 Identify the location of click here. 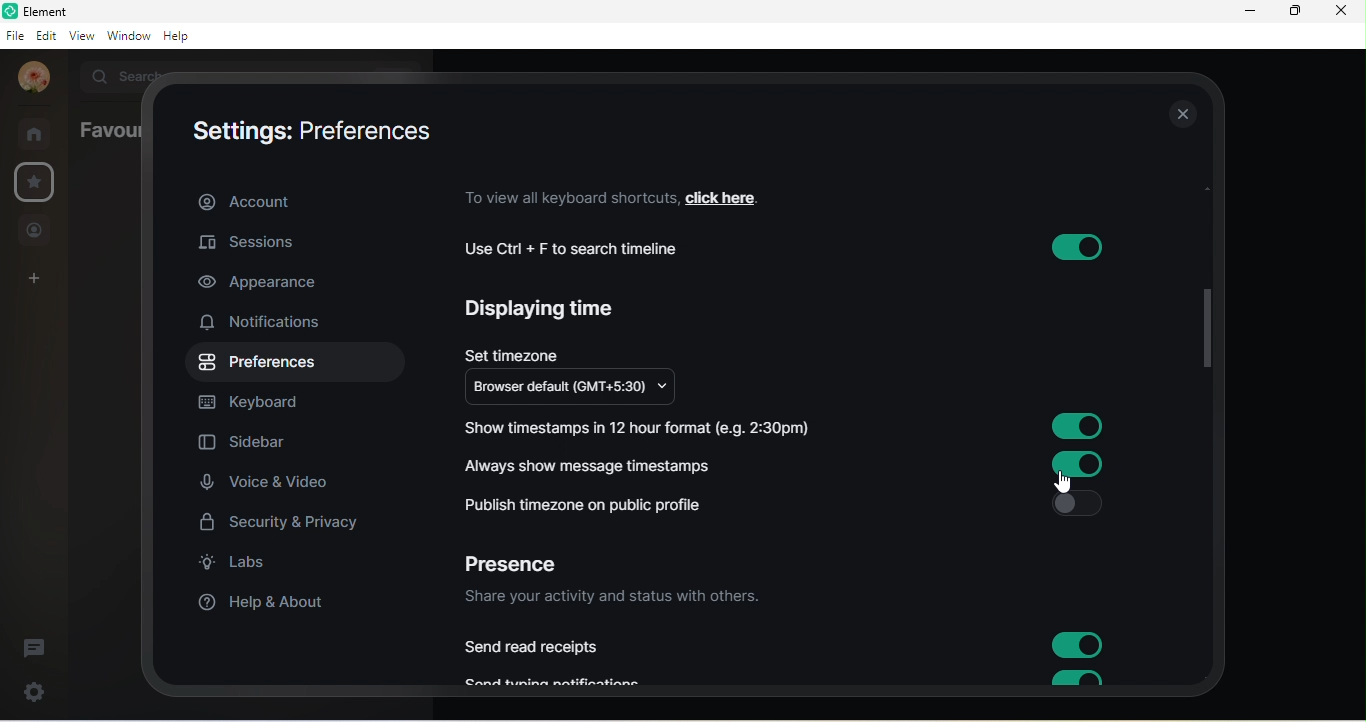
(735, 196).